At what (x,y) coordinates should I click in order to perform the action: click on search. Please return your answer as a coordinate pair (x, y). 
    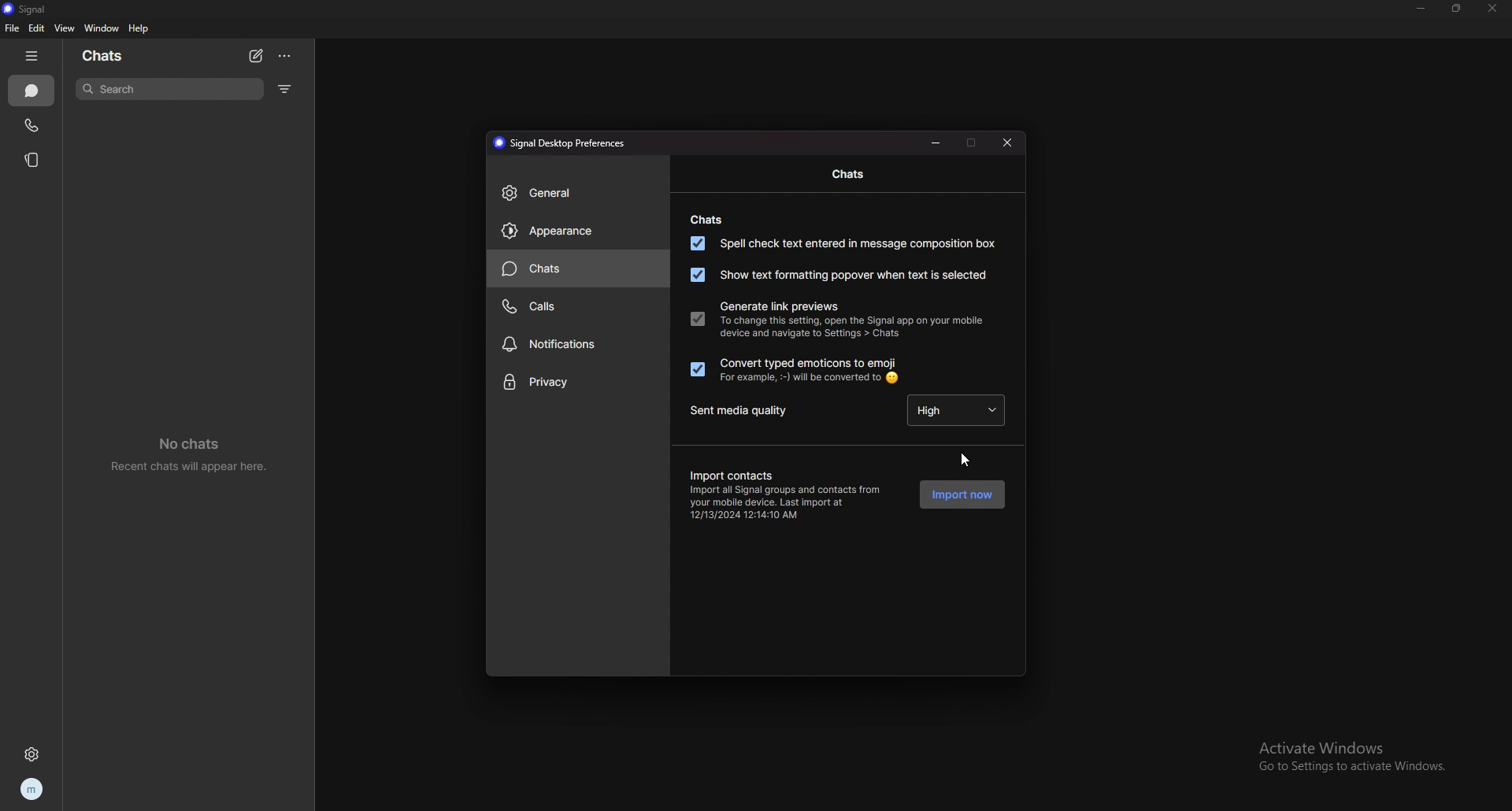
    Looking at the image, I should click on (169, 89).